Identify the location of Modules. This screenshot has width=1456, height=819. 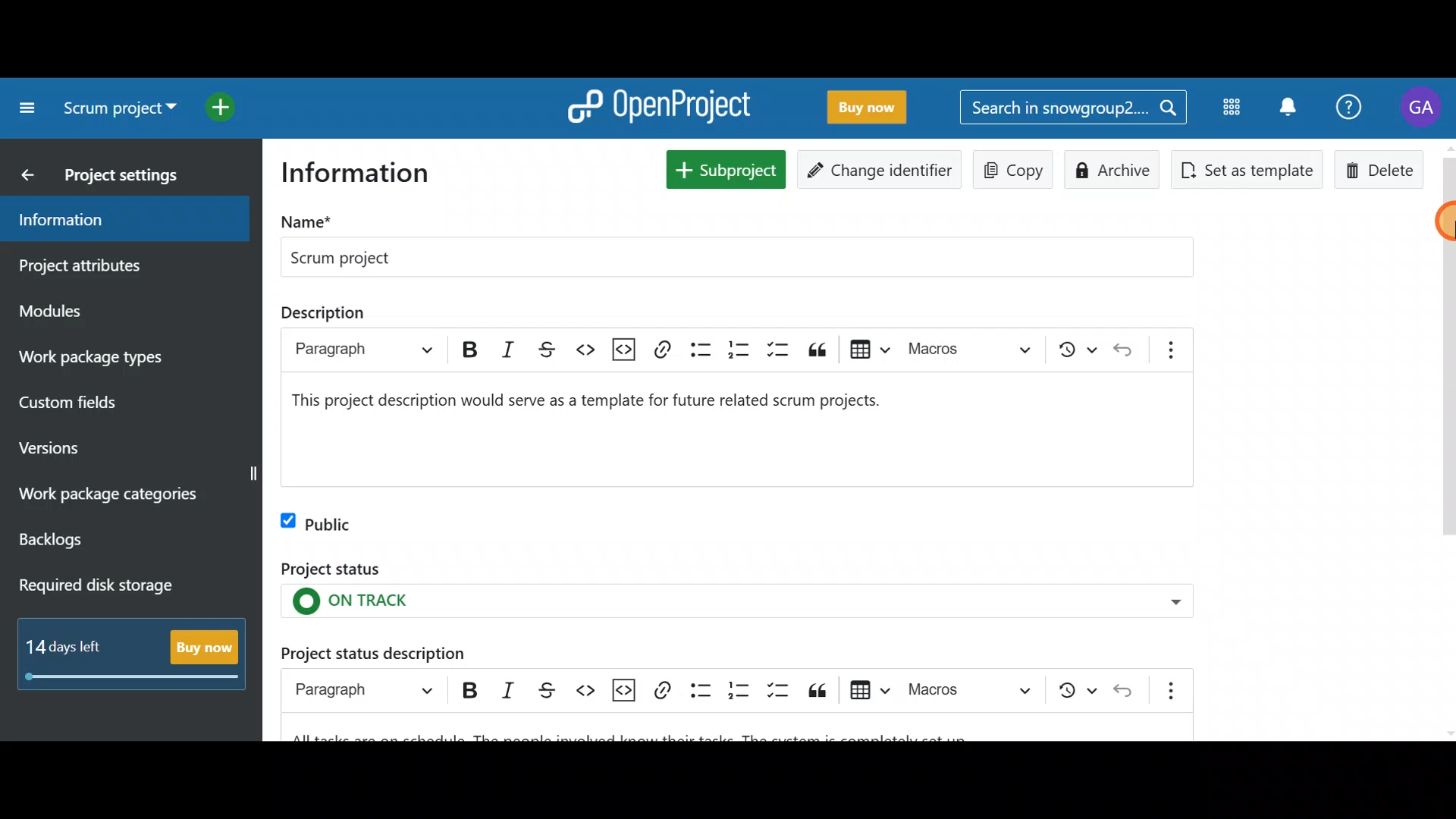
(1228, 111).